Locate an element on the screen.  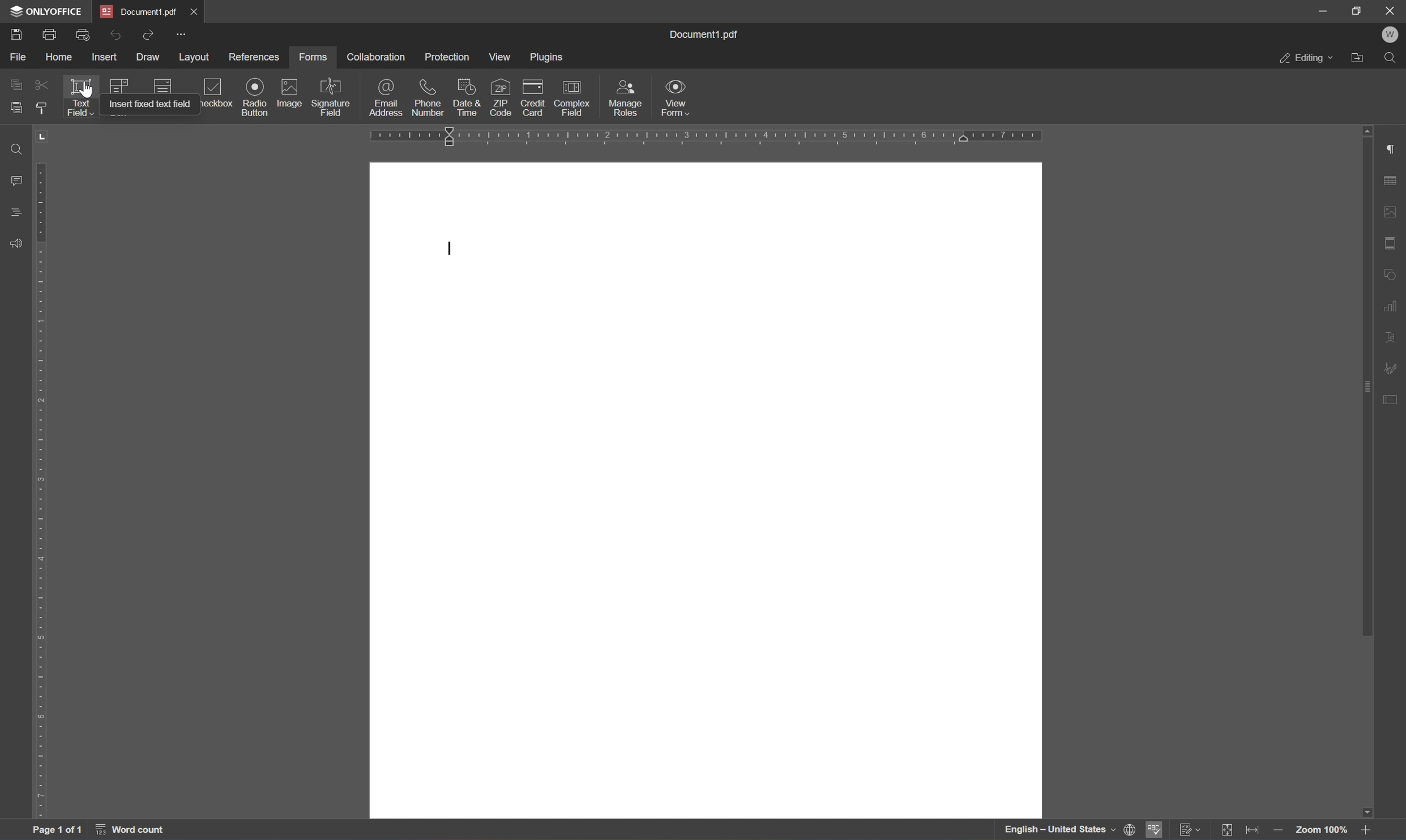
minimize is located at coordinates (1324, 8).